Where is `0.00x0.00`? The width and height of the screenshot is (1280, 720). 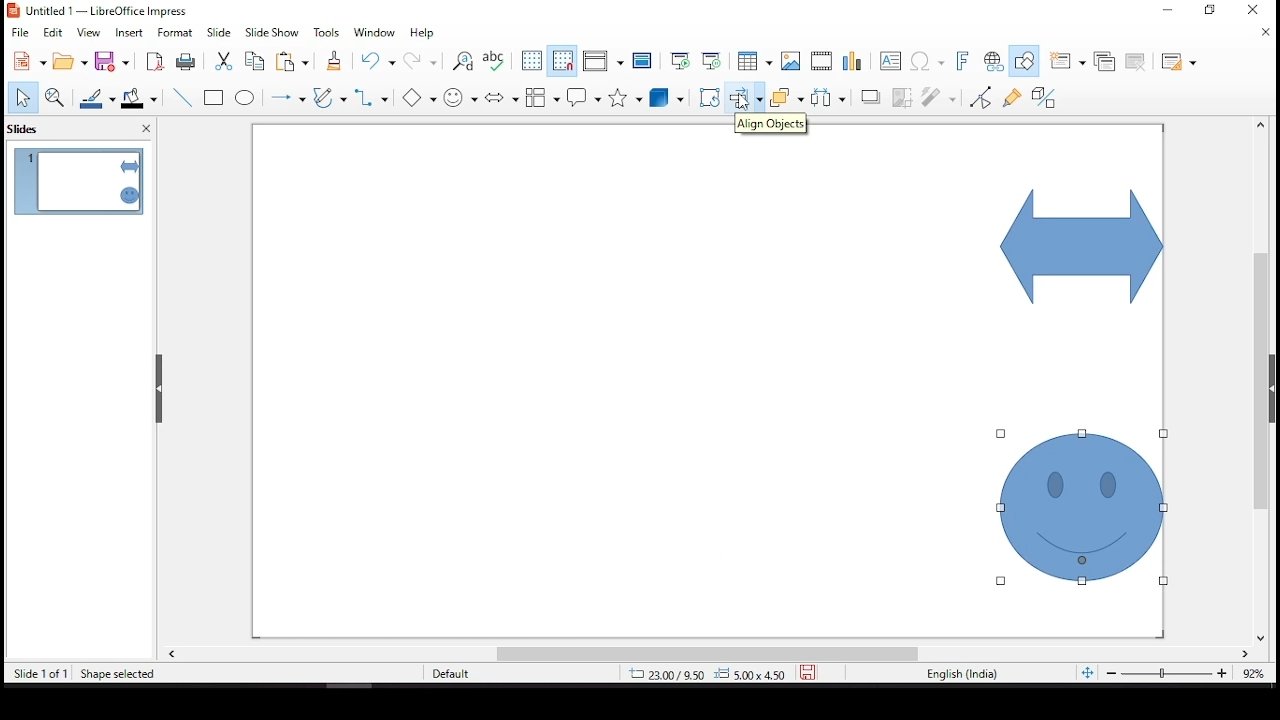
0.00x0.00 is located at coordinates (749, 672).